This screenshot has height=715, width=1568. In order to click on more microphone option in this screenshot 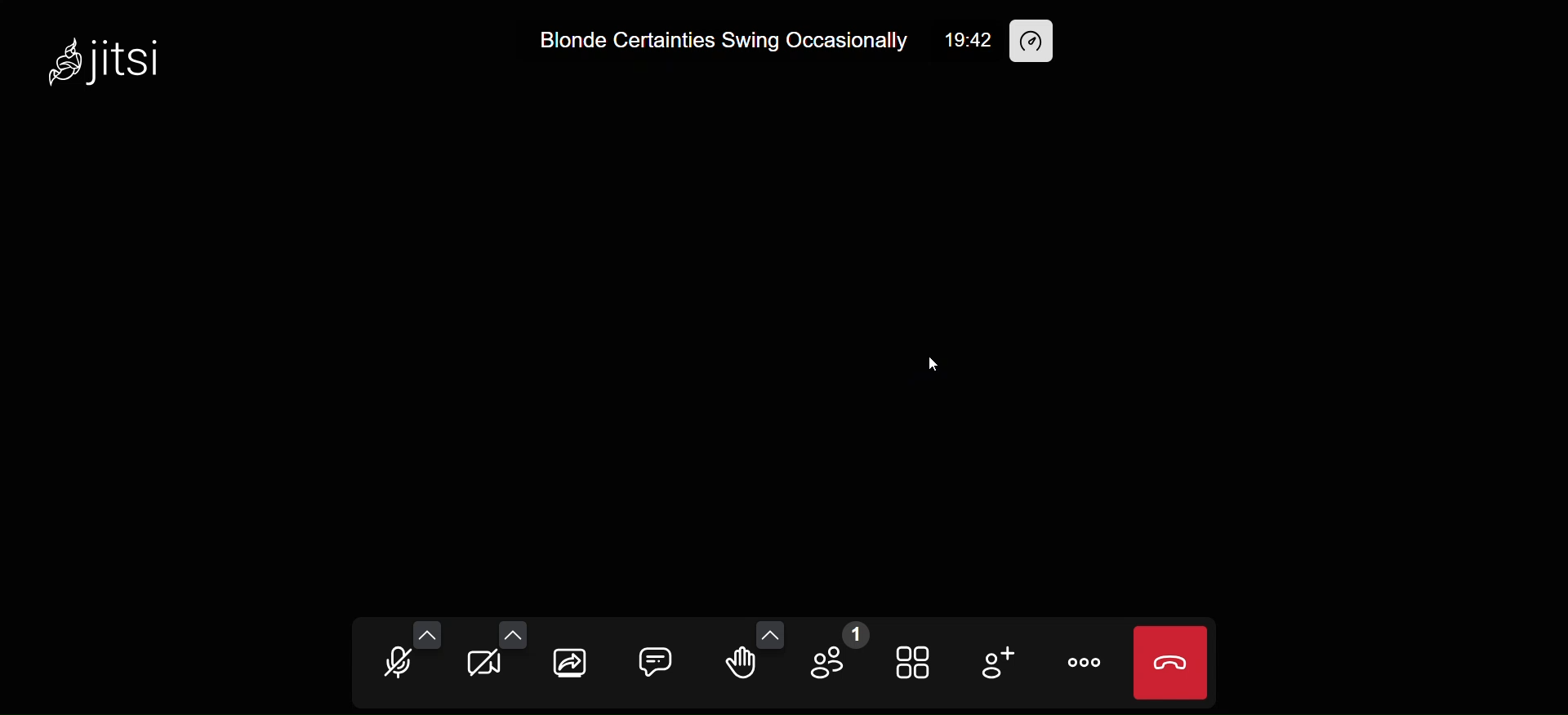, I will do `click(426, 634)`.